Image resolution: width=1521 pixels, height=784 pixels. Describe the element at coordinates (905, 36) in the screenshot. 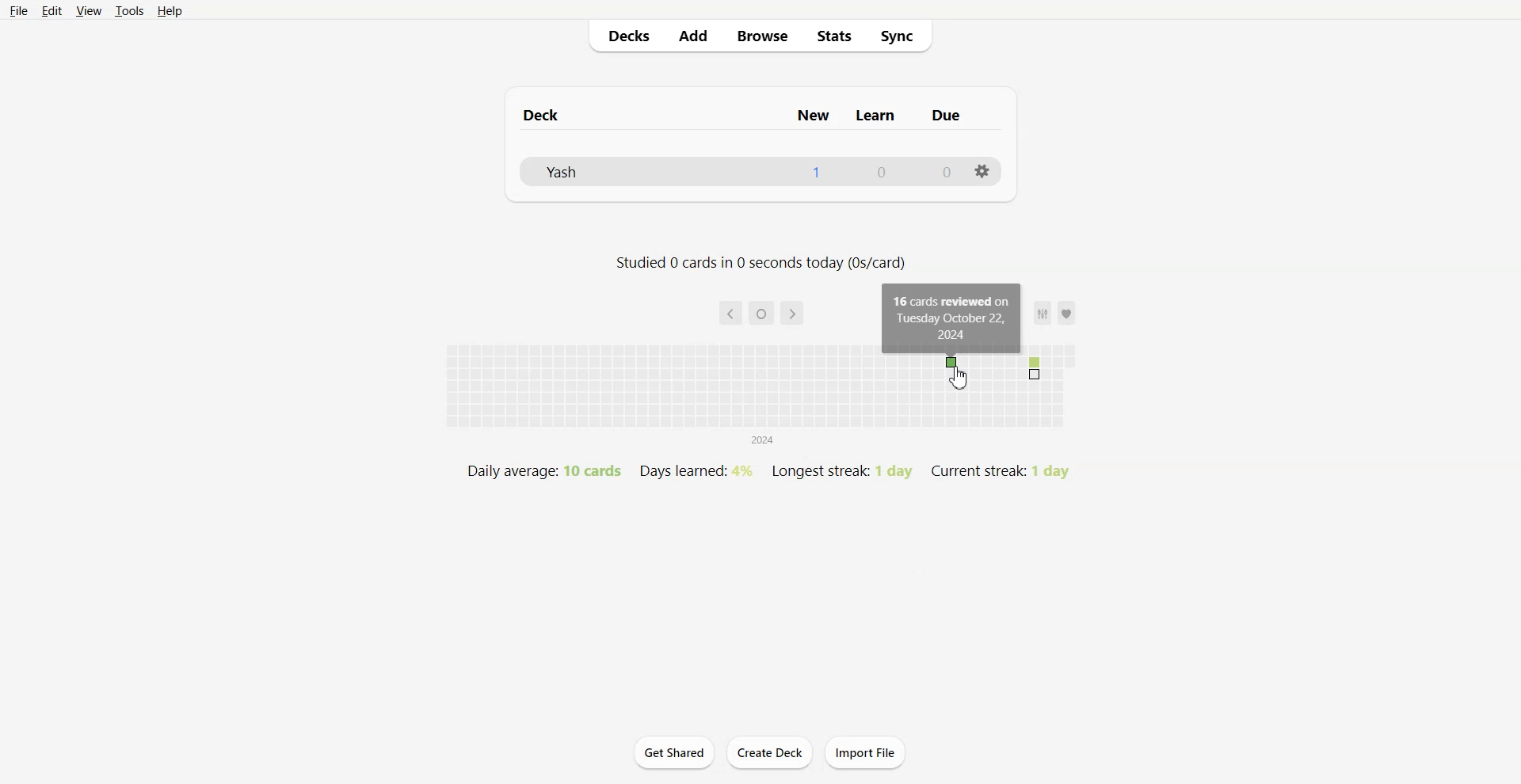

I see `Sync` at that location.